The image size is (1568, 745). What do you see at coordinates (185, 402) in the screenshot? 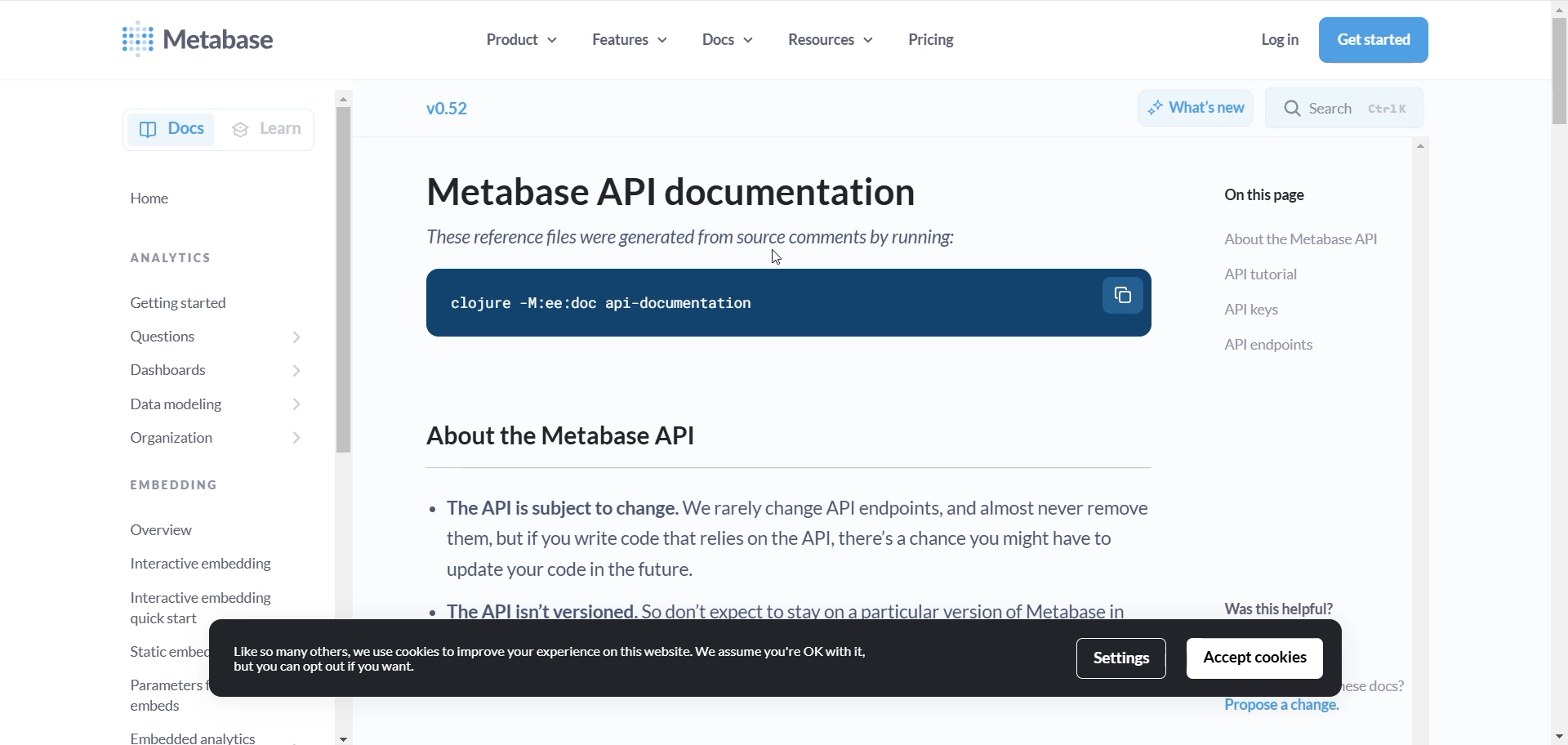
I see `data modeling` at bounding box center [185, 402].